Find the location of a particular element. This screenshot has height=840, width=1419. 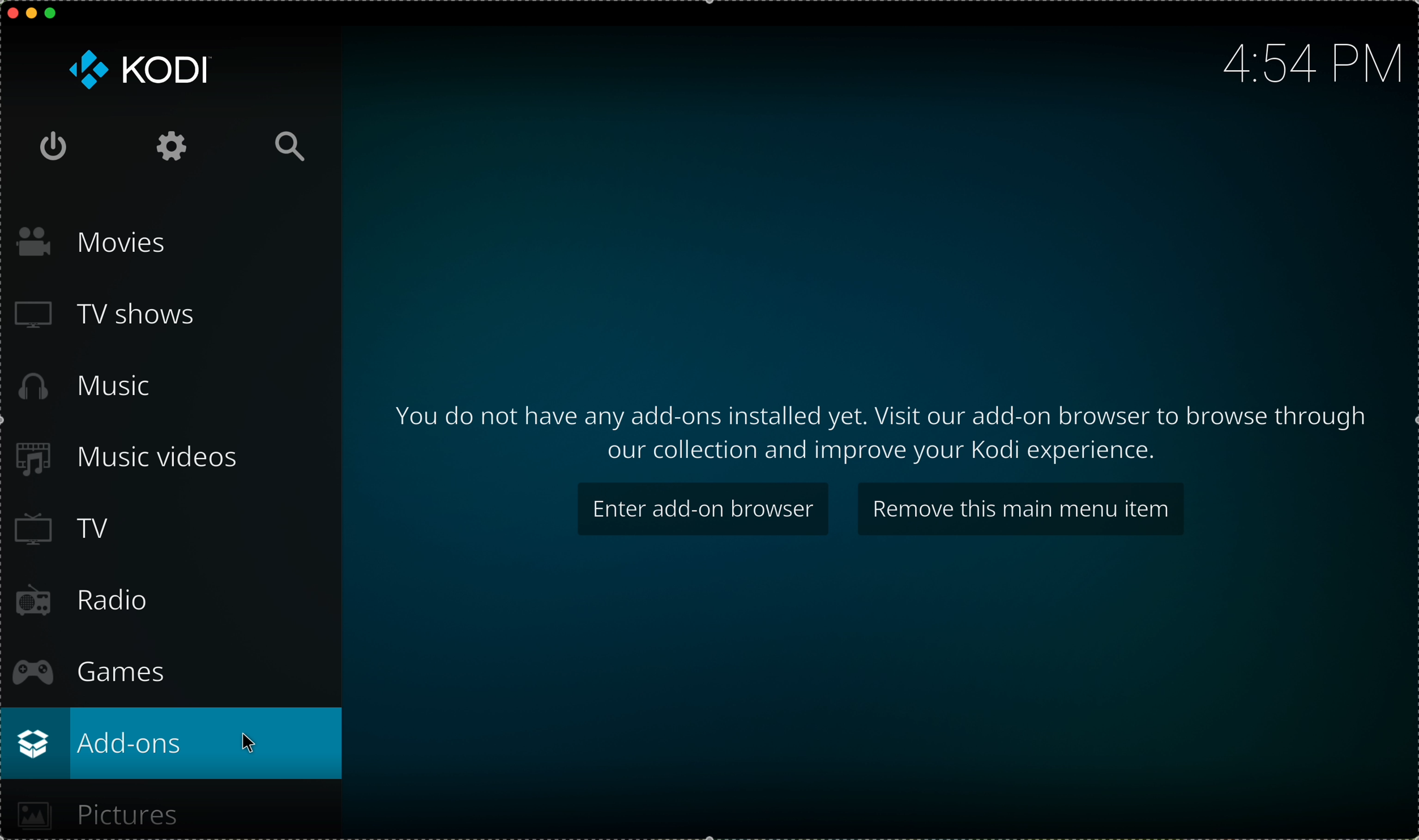

tv shows is located at coordinates (109, 316).